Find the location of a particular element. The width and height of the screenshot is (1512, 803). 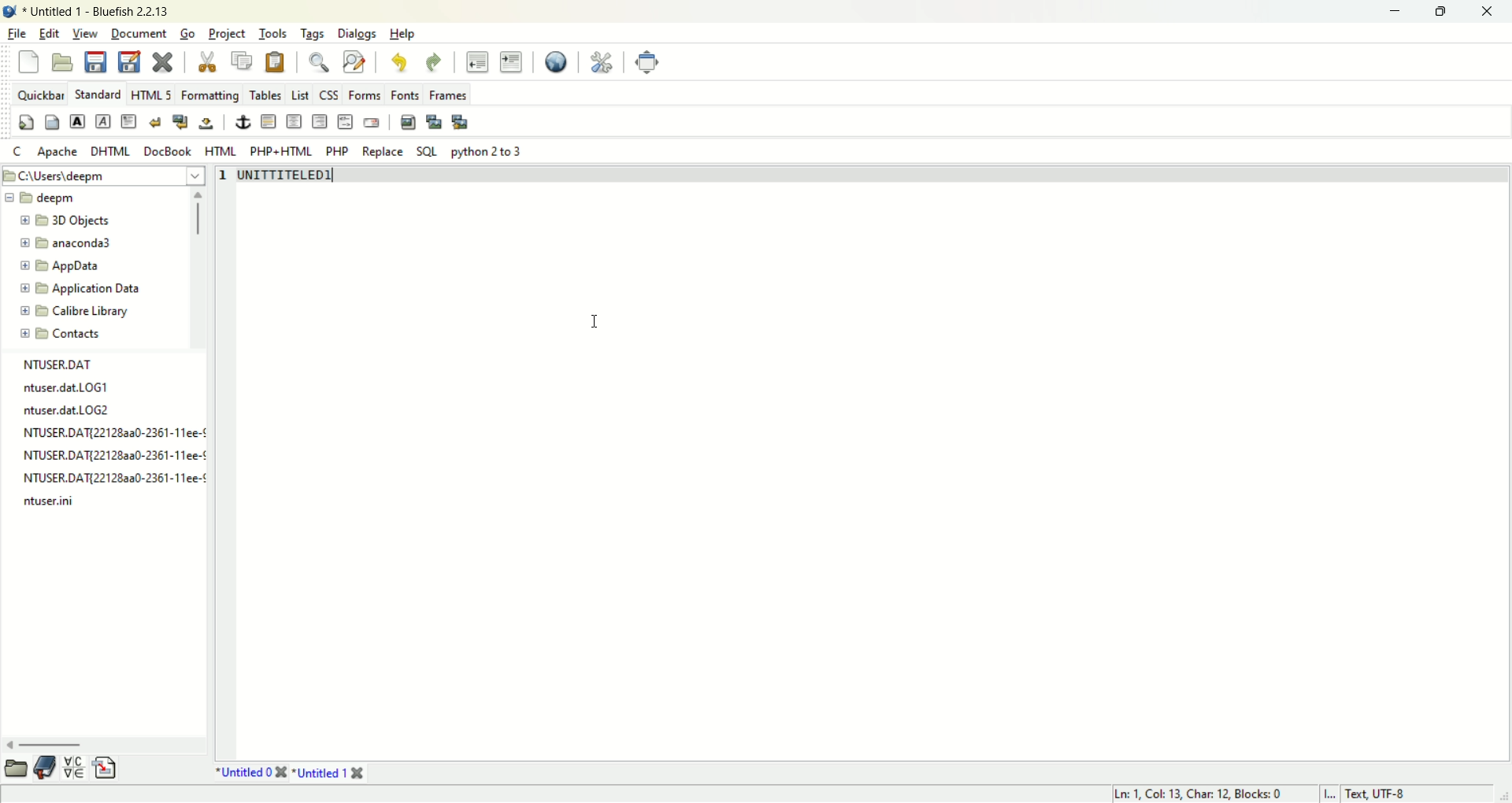

text, UTF-8 is located at coordinates (1400, 793).